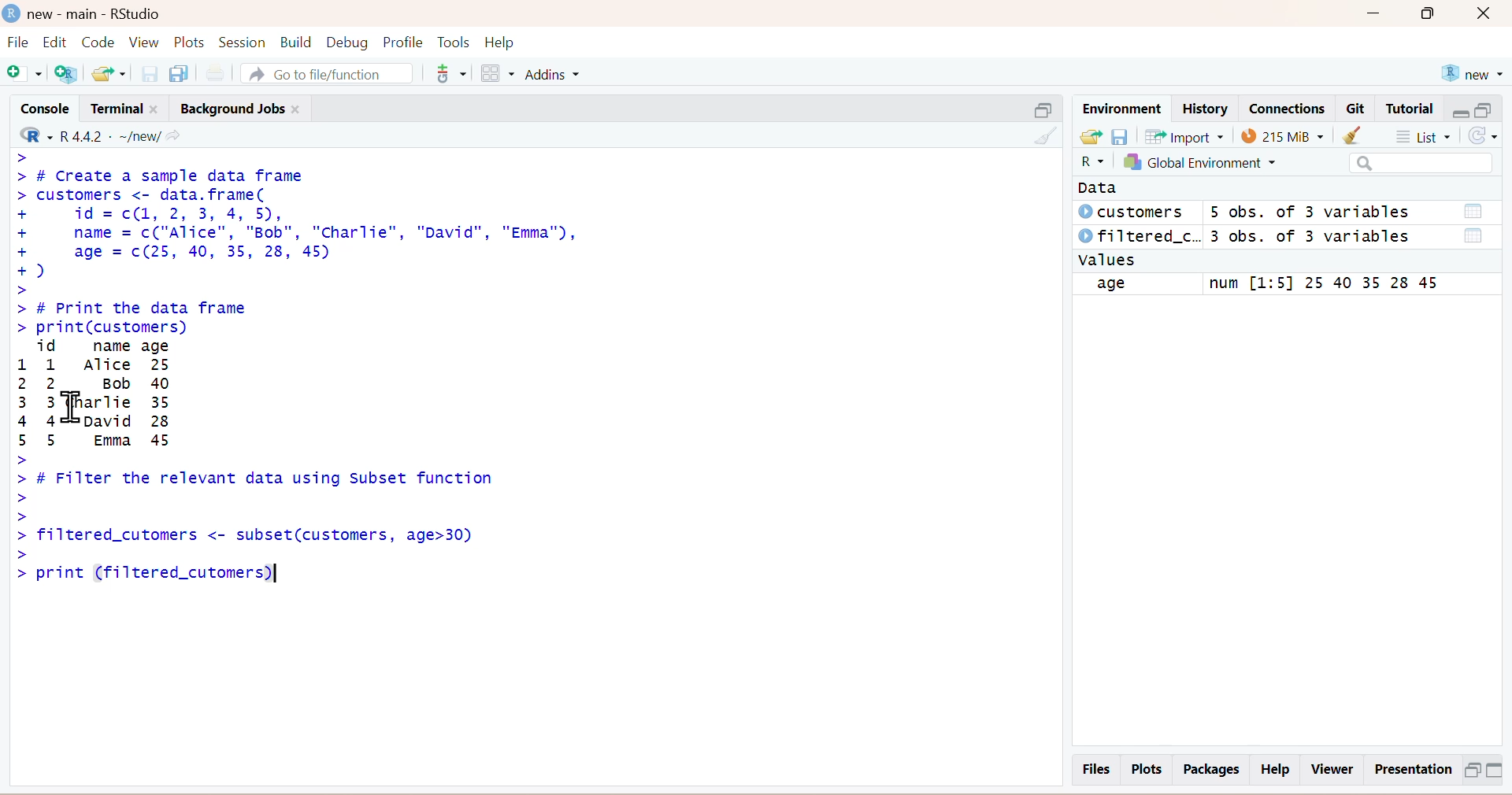 The image size is (1512, 795). What do you see at coordinates (1428, 136) in the screenshot?
I see `List` at bounding box center [1428, 136].